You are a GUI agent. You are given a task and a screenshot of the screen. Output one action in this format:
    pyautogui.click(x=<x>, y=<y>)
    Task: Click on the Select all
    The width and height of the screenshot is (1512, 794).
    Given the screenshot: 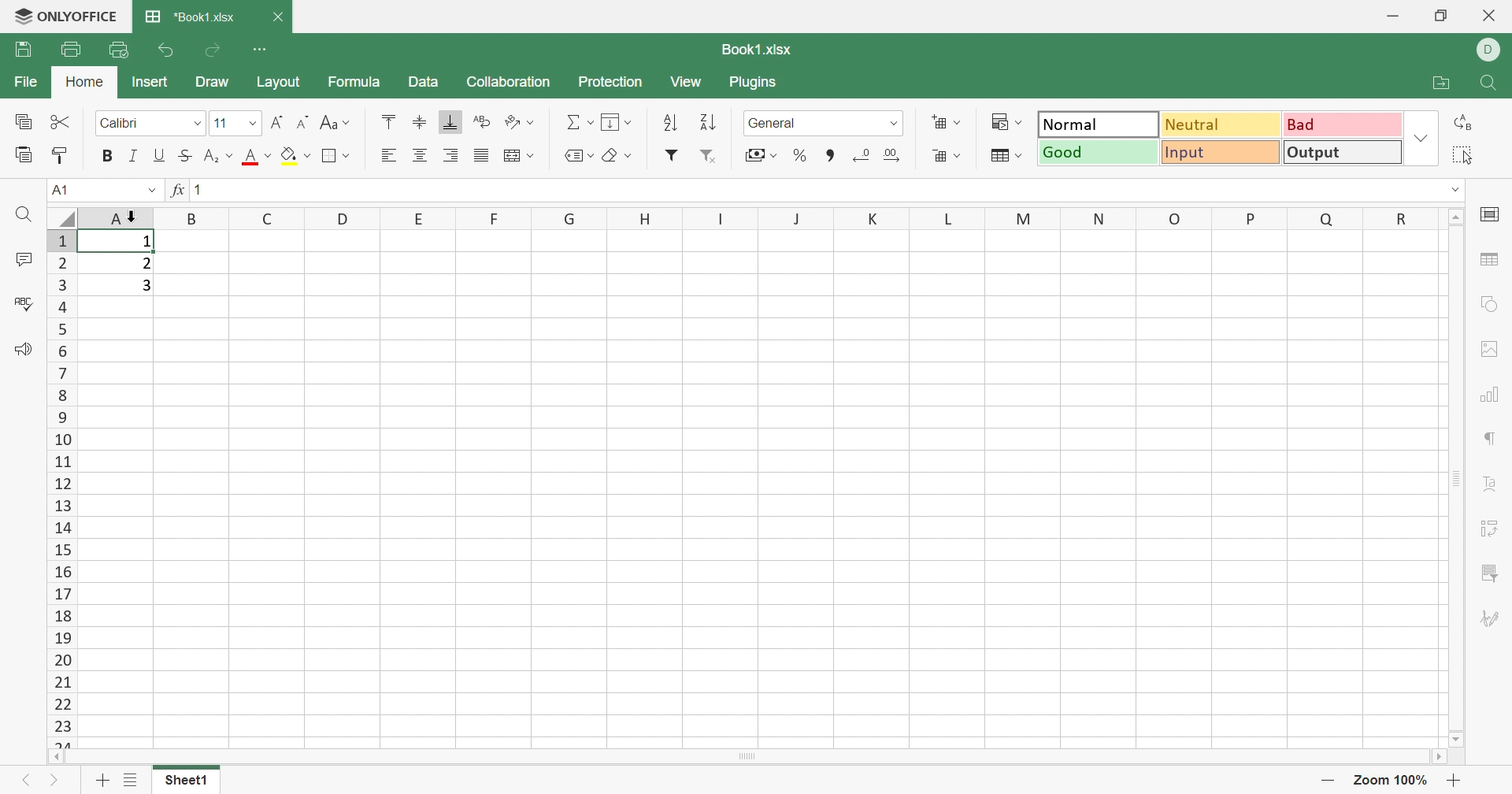 What is the action you would take?
    pyautogui.click(x=1461, y=155)
    